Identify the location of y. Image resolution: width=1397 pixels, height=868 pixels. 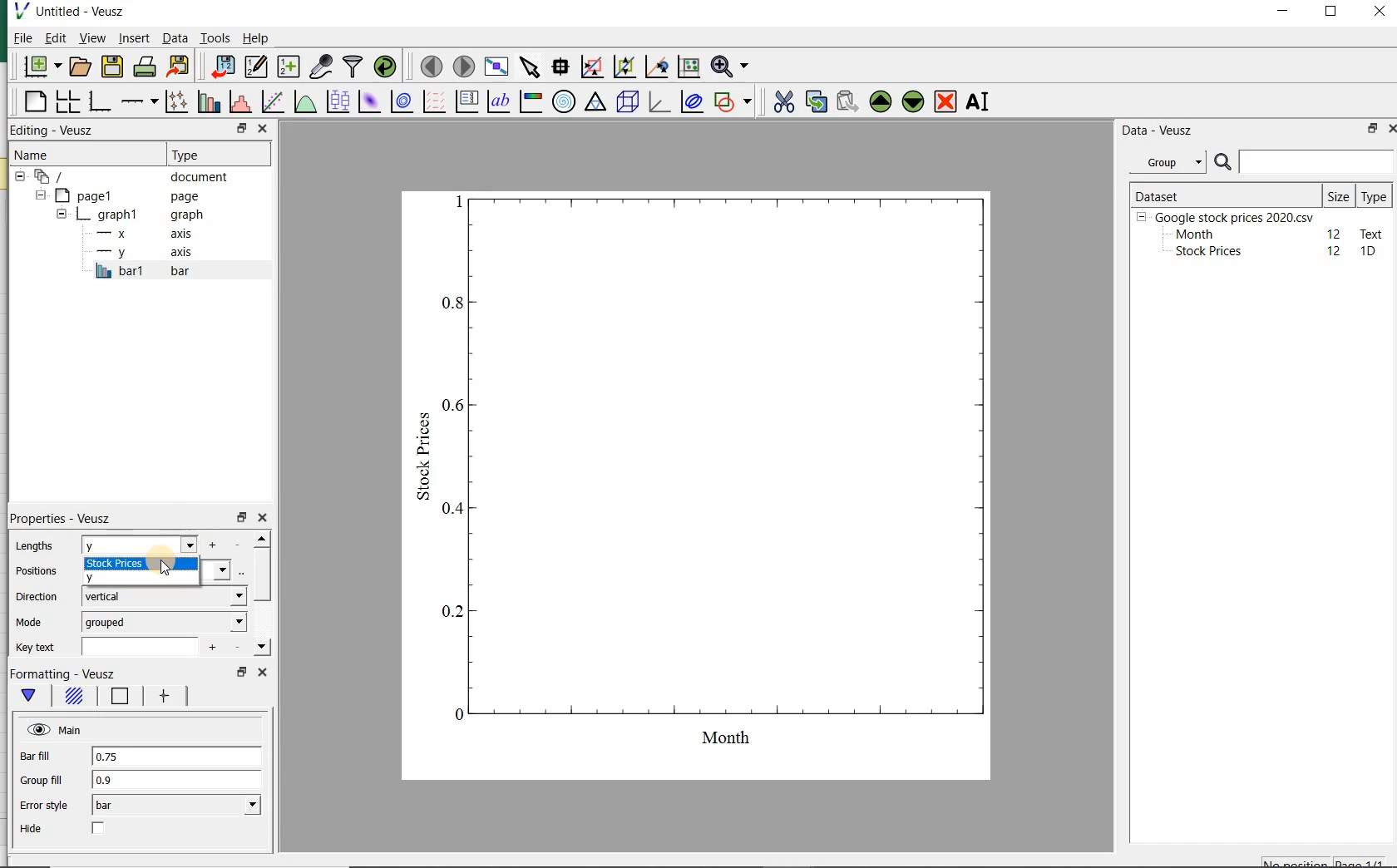
(143, 579).